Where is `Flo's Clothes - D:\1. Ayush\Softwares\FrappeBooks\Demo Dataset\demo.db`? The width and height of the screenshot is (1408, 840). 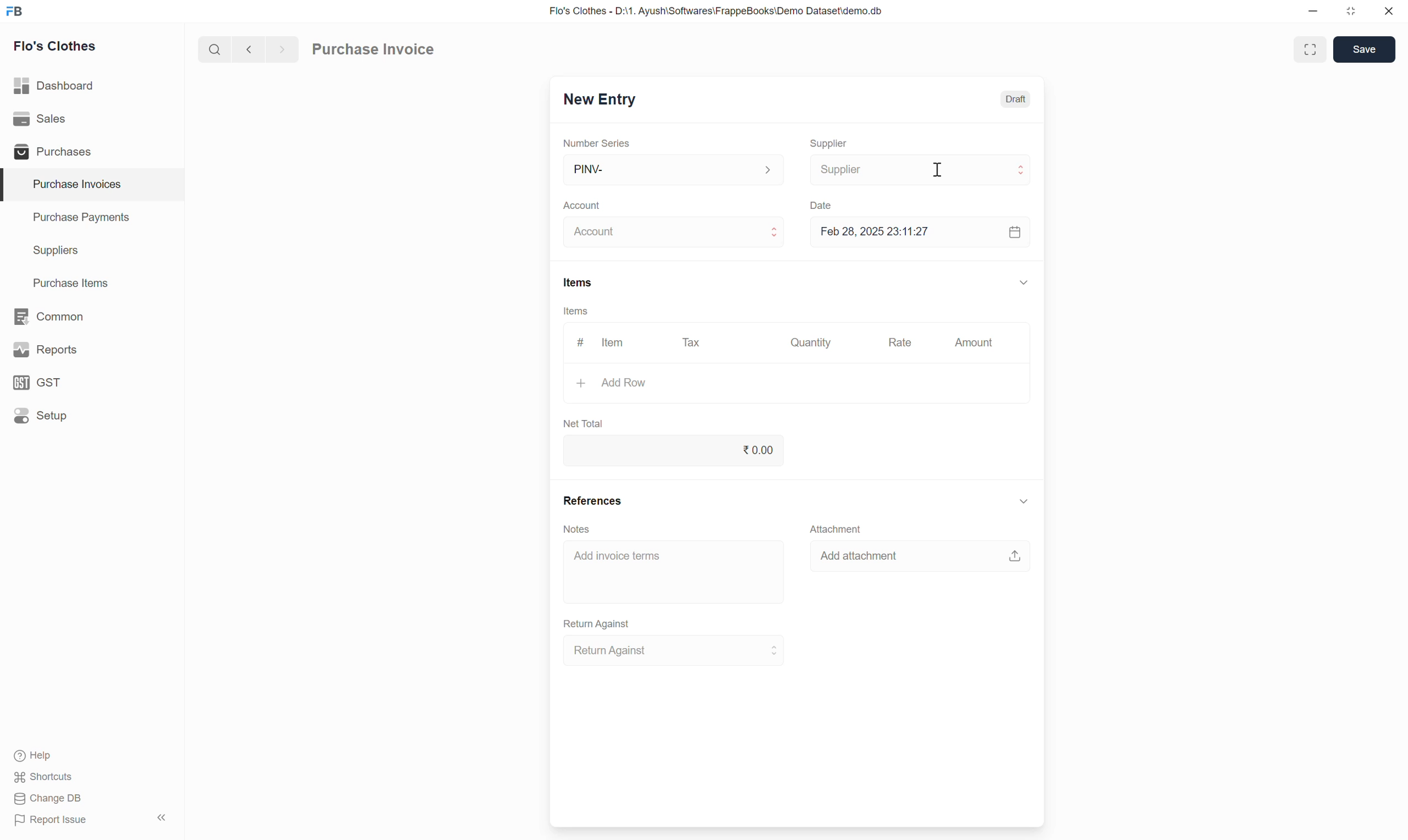 Flo's Clothes - D:\1. Ayush\Softwares\FrappeBooks\Demo Dataset\demo.db is located at coordinates (717, 11).